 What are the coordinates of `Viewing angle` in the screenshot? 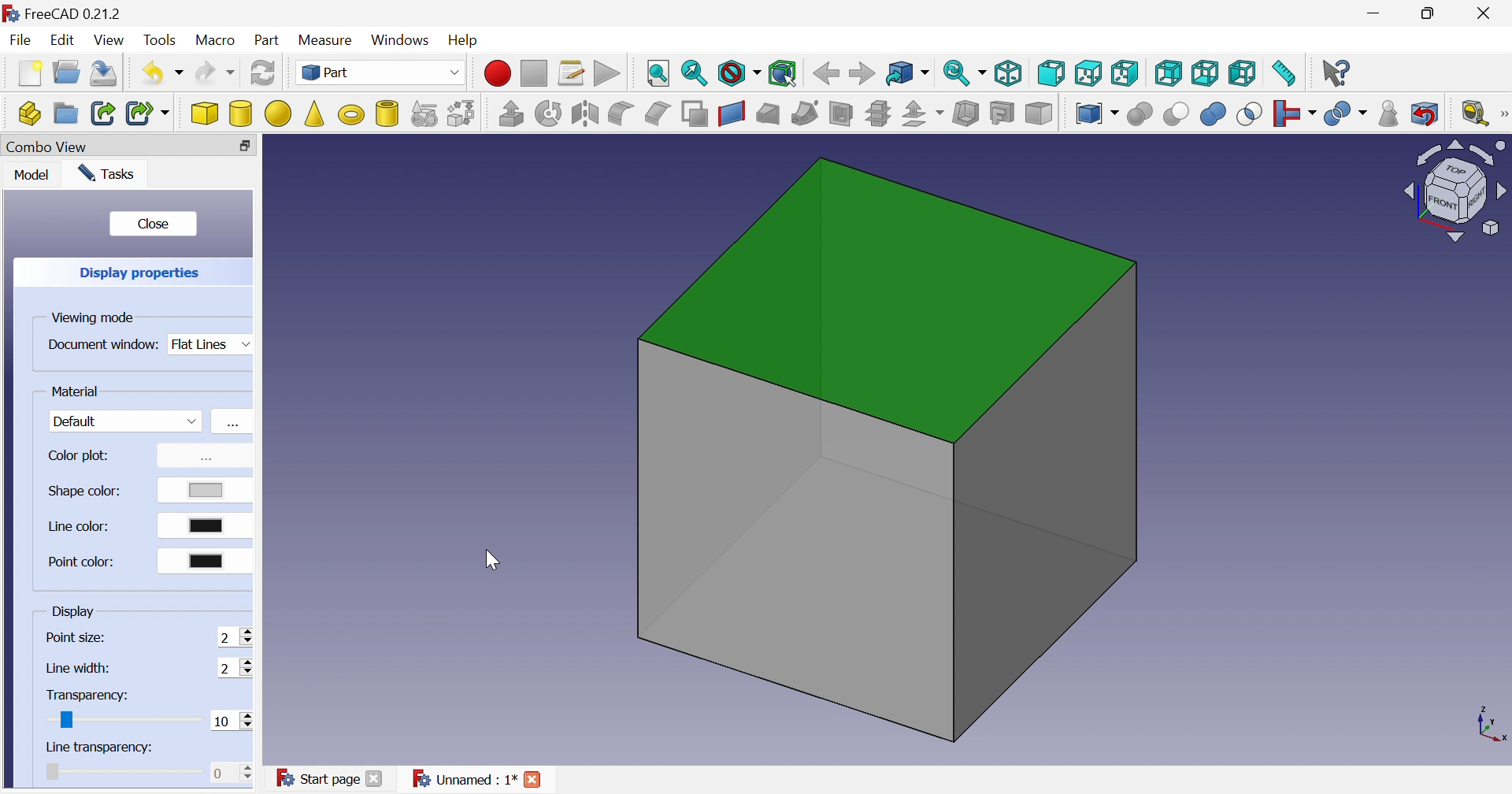 It's located at (1451, 191).